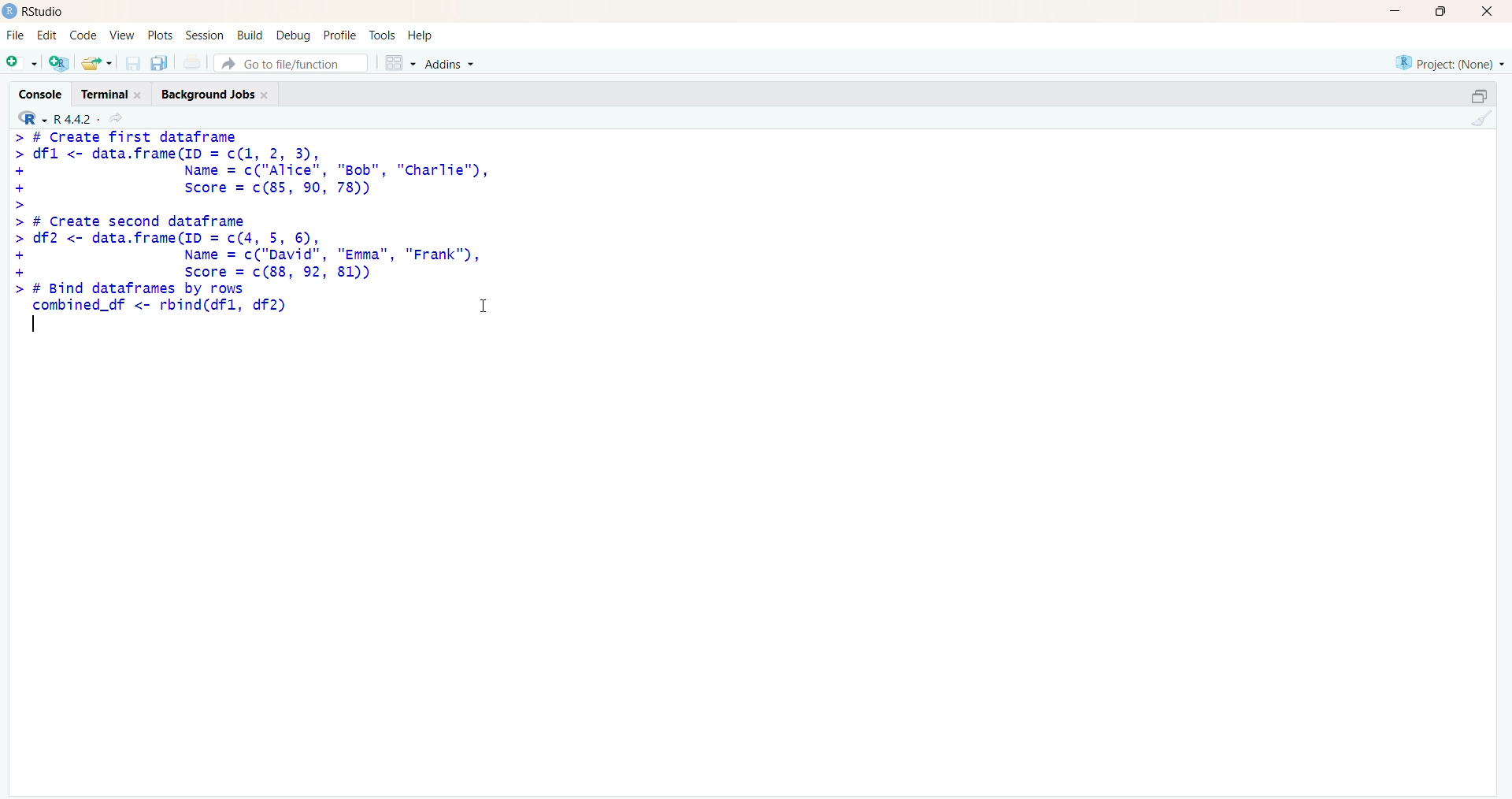 The width and height of the screenshot is (1512, 799). Describe the element at coordinates (1441, 11) in the screenshot. I see `maximize` at that location.